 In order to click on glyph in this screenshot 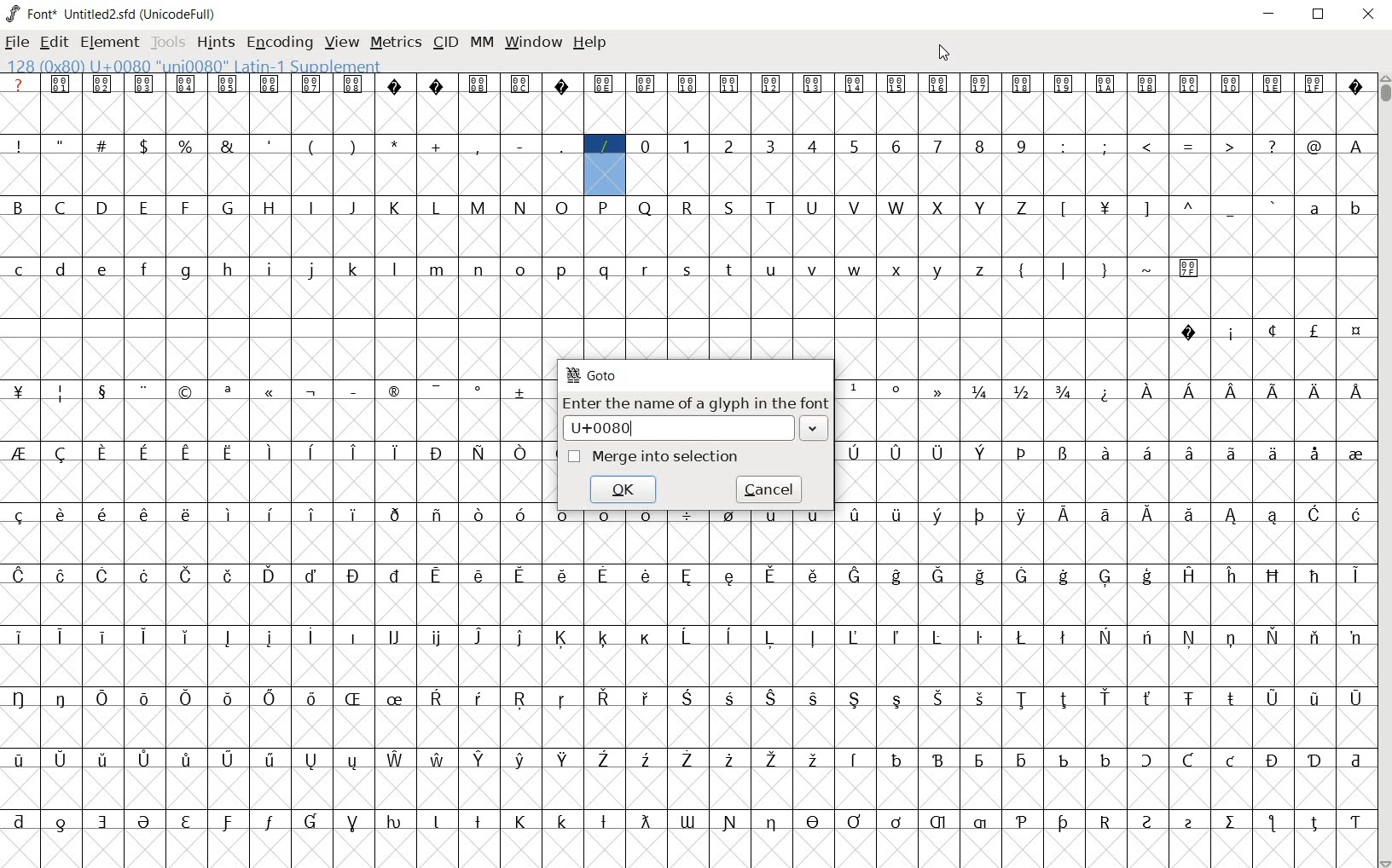, I will do `click(979, 761)`.